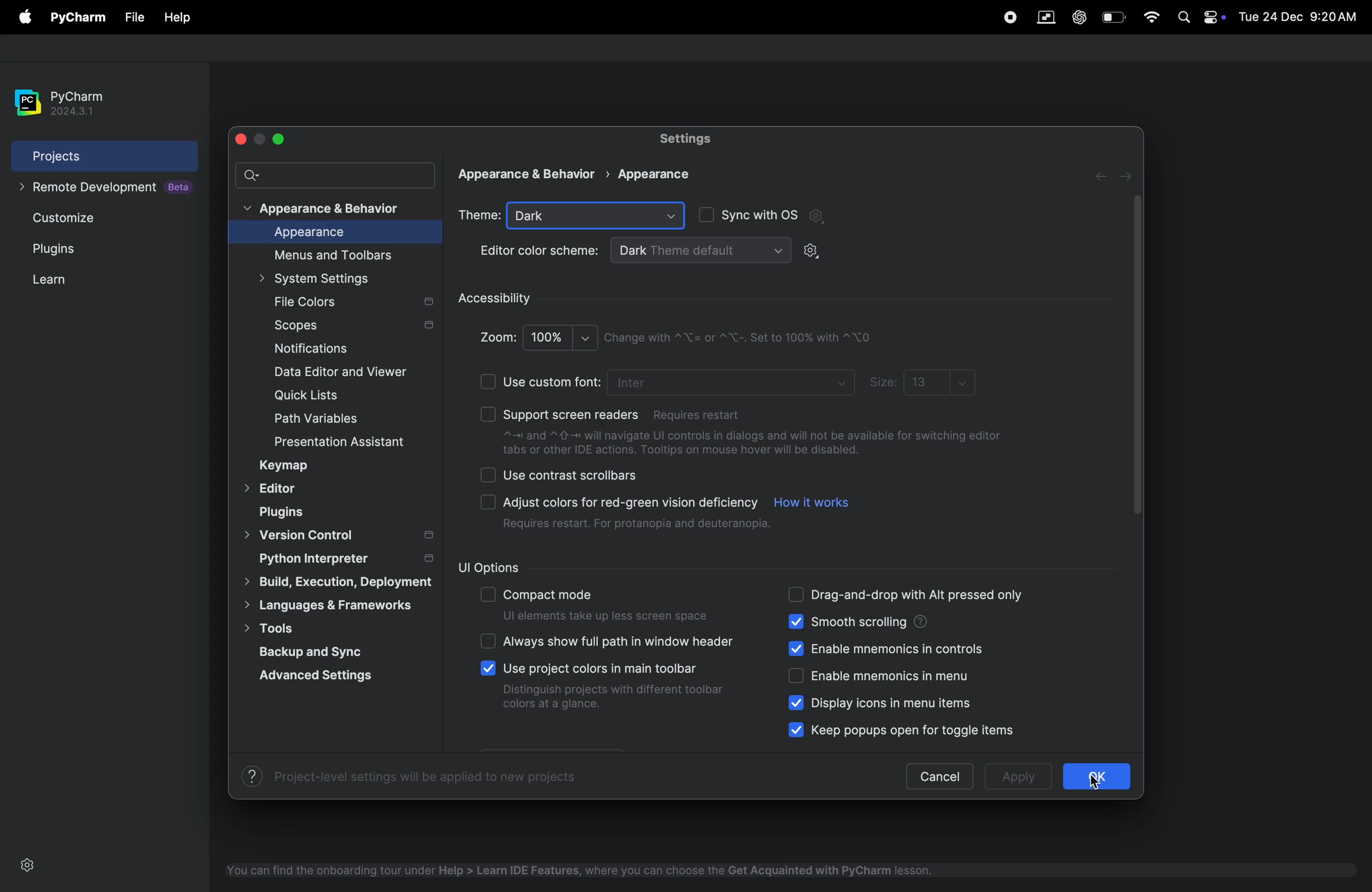  Describe the element at coordinates (652, 173) in the screenshot. I see `apperance` at that location.